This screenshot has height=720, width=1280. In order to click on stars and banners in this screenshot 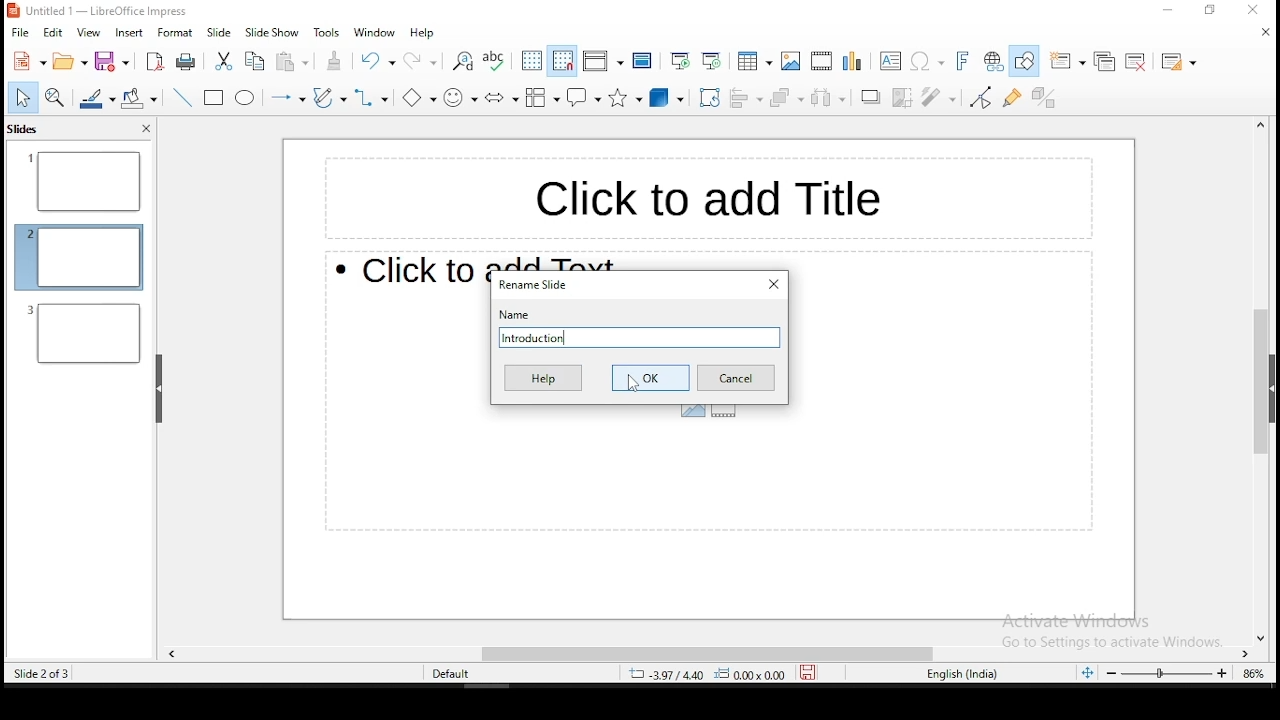, I will do `click(628, 99)`.